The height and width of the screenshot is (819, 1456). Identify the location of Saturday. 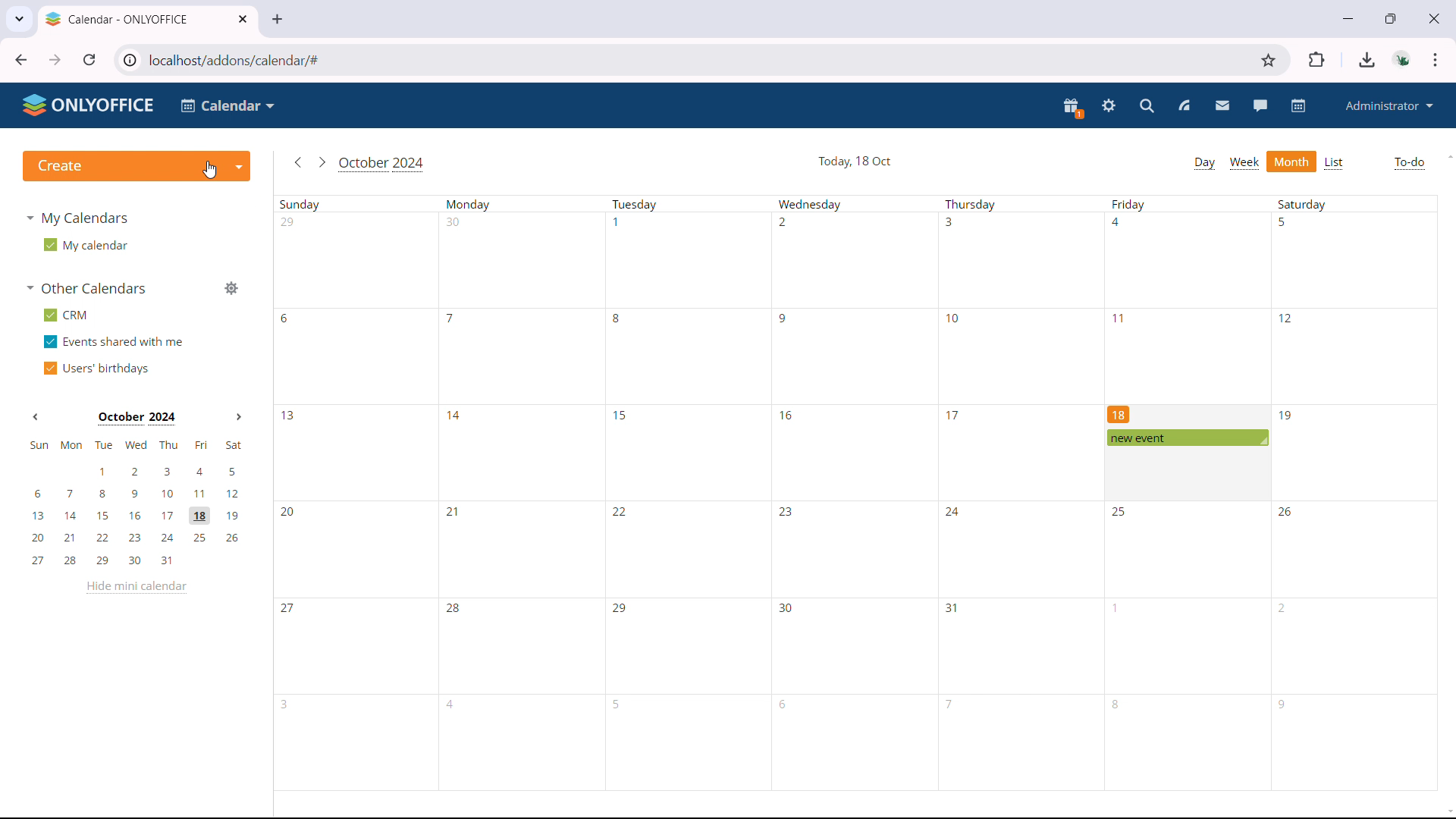
(1302, 203).